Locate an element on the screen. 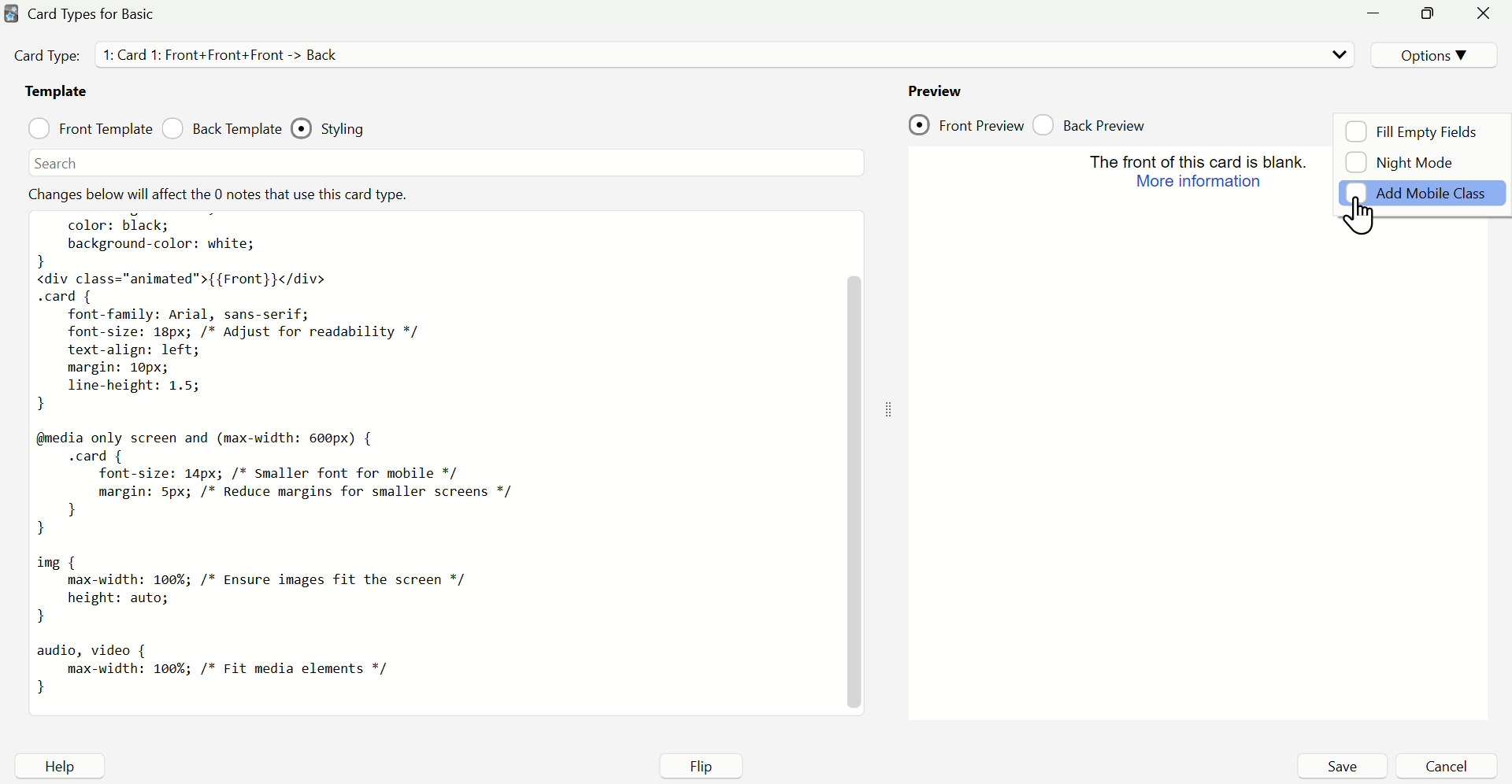 The image size is (1512, 784). Cursor on Add Mobile Class is located at coordinates (1364, 215).